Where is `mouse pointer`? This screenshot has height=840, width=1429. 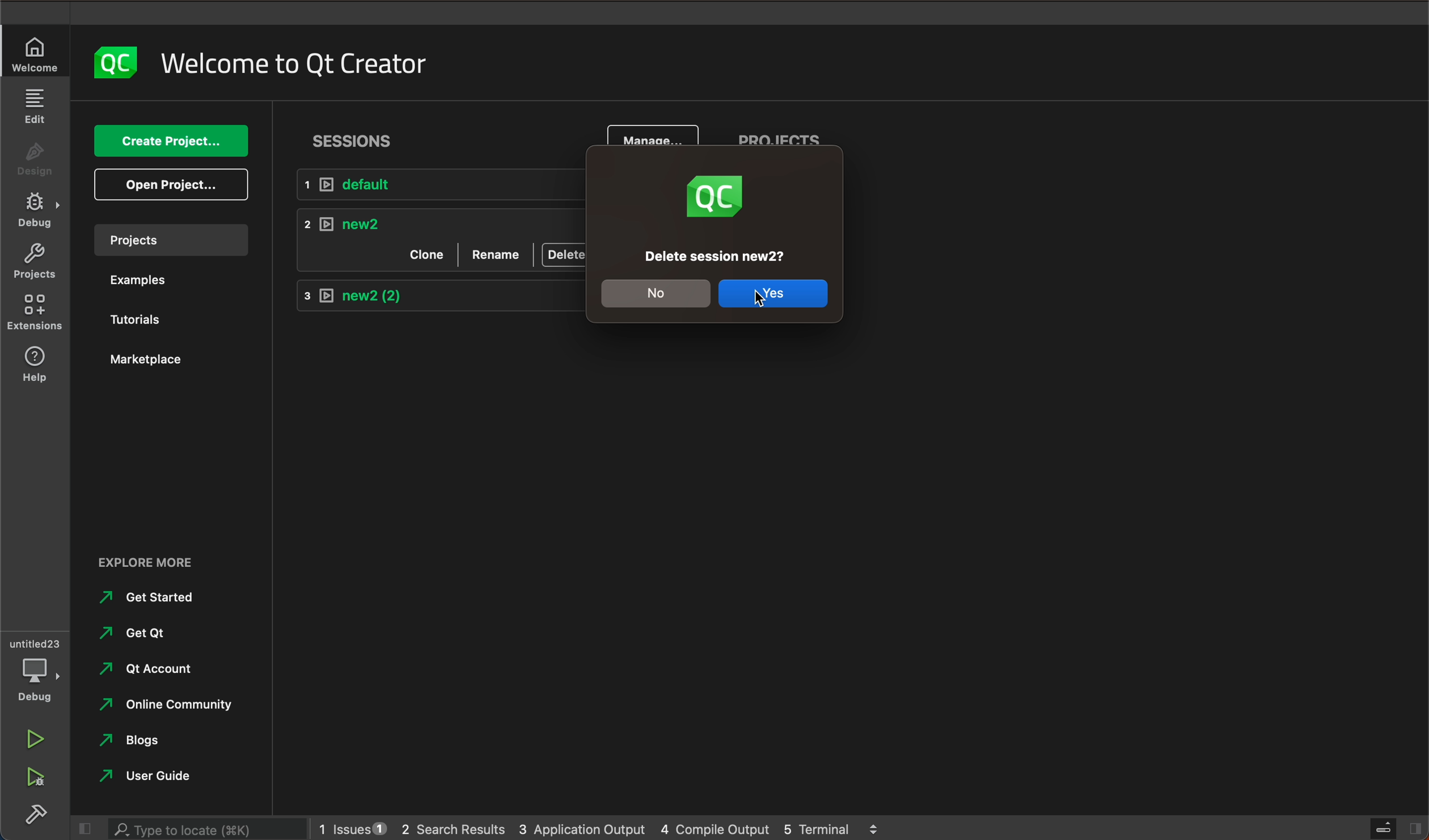
mouse pointer is located at coordinates (767, 304).